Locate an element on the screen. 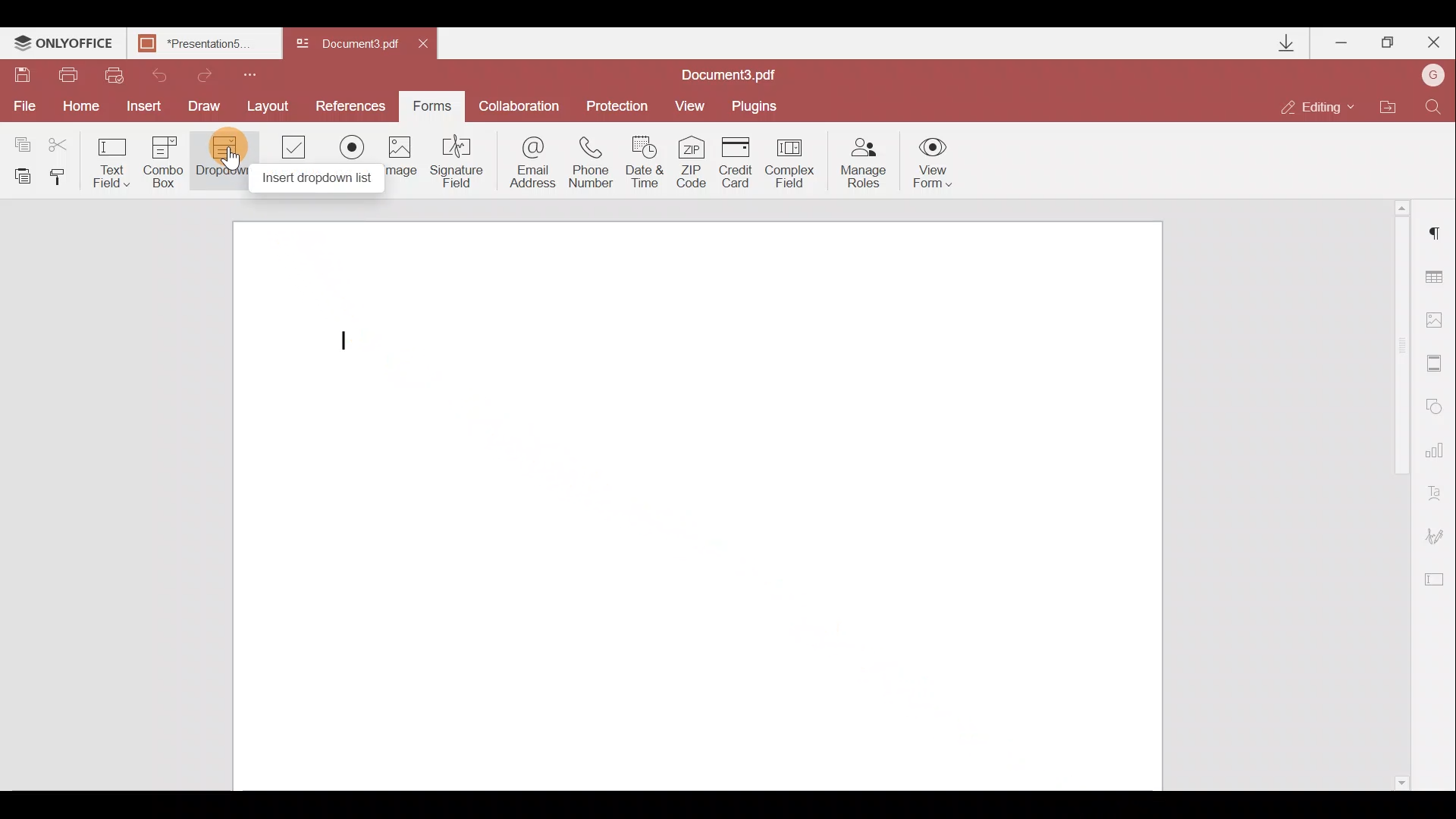 This screenshot has height=819, width=1456. Document3.pdf is located at coordinates (349, 45).